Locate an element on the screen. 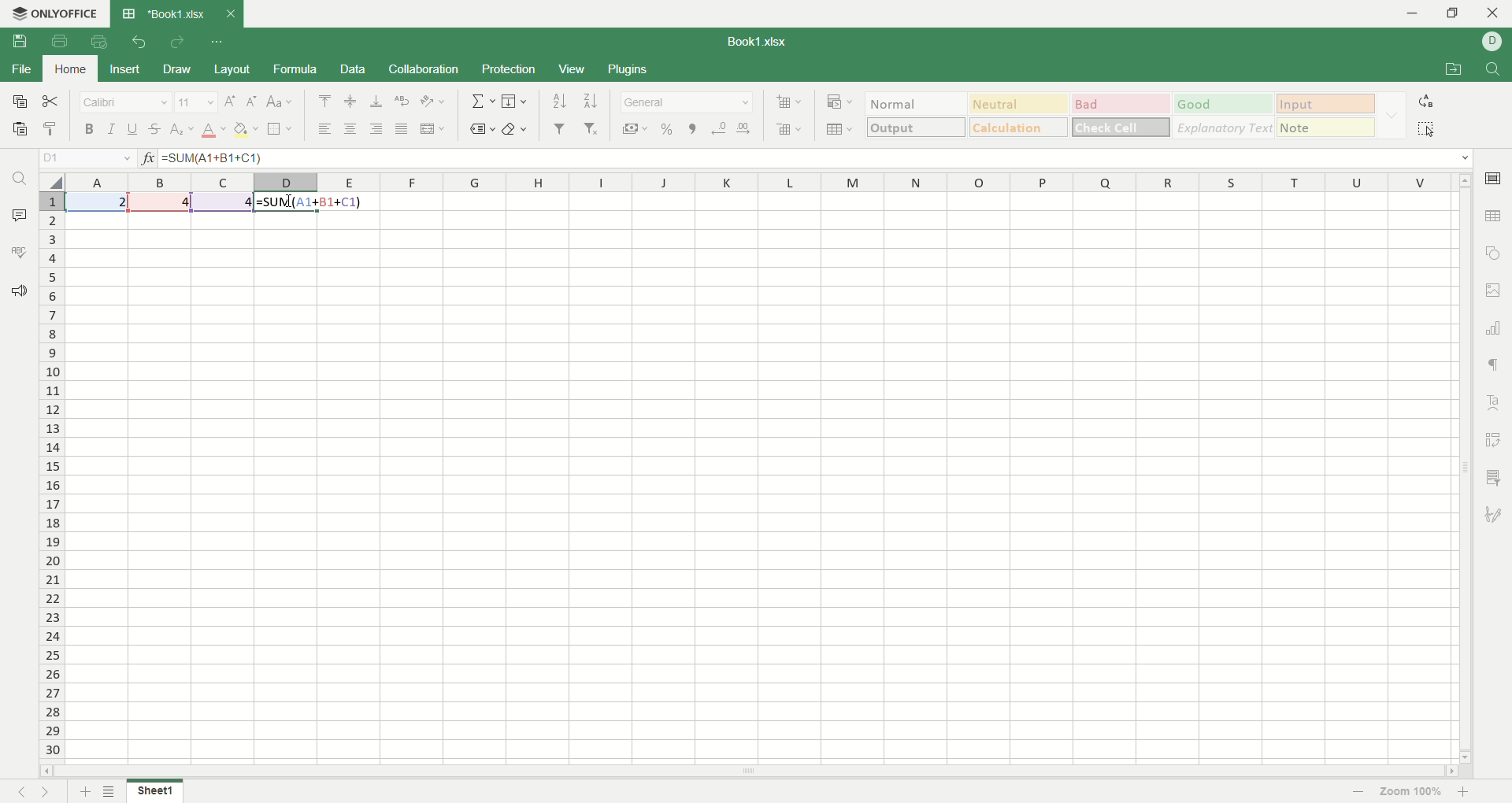  redo is located at coordinates (177, 44).